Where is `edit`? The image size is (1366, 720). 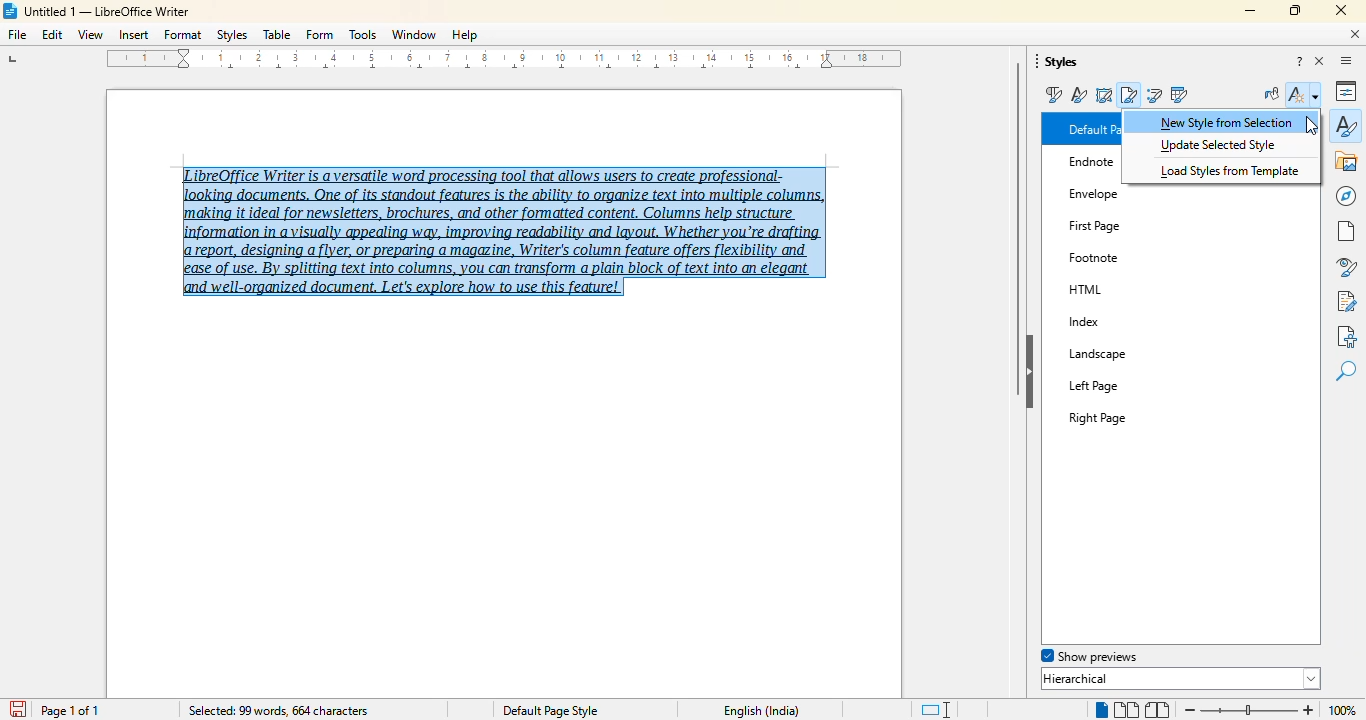 edit is located at coordinates (53, 35).